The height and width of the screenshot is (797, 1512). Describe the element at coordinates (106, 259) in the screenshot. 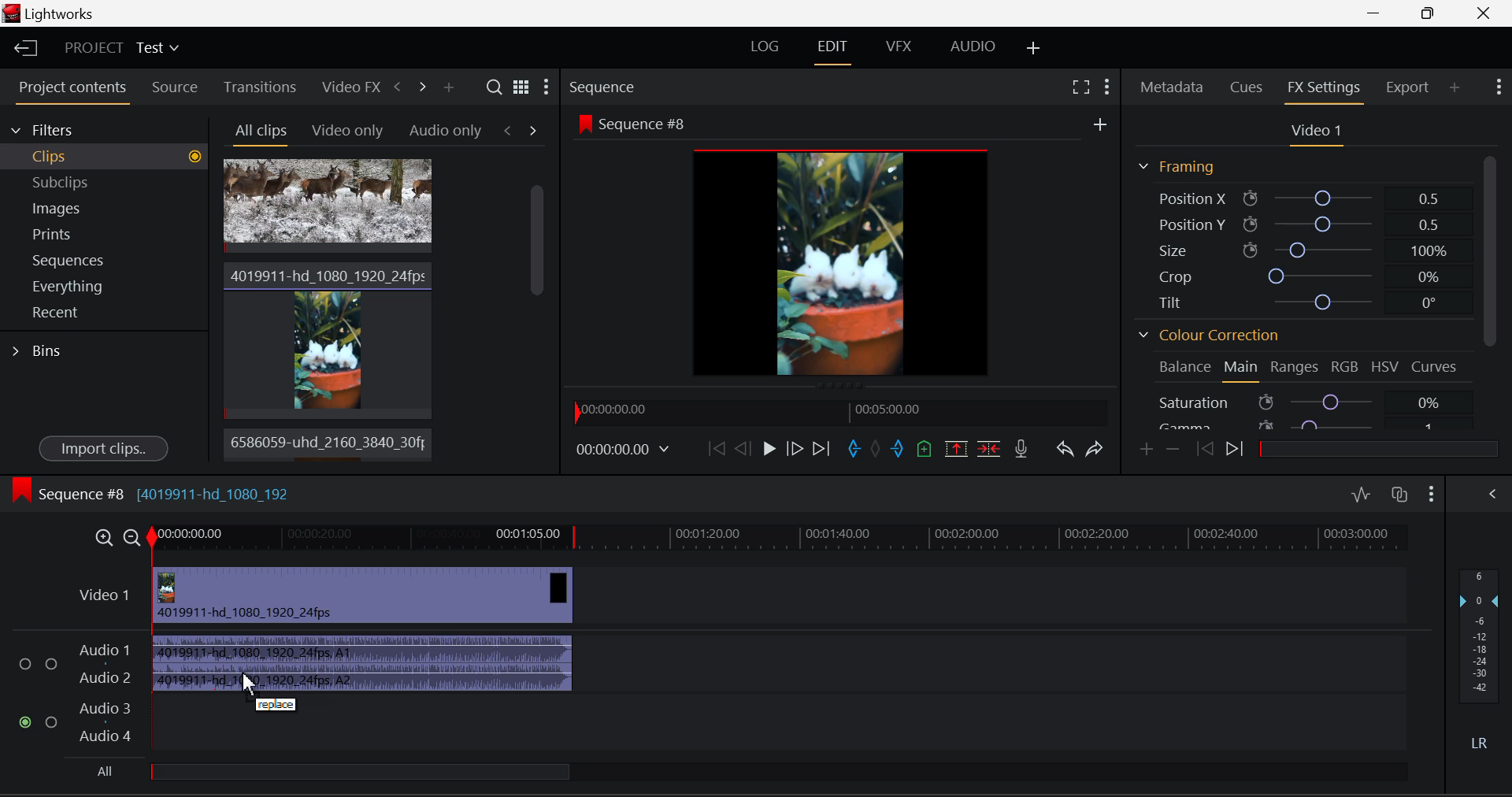

I see `Sequences` at that location.